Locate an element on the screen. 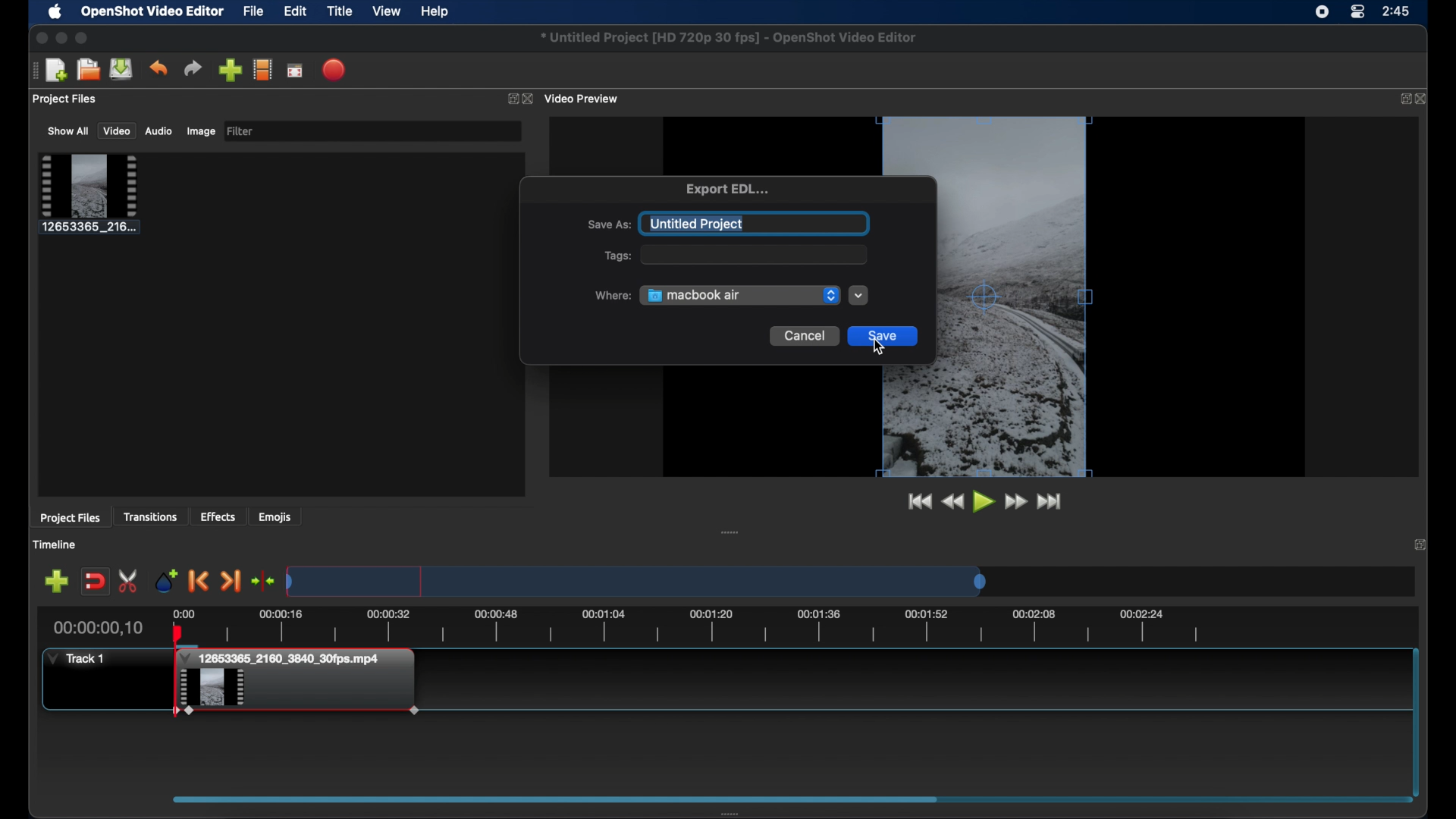  next marker is located at coordinates (232, 582).